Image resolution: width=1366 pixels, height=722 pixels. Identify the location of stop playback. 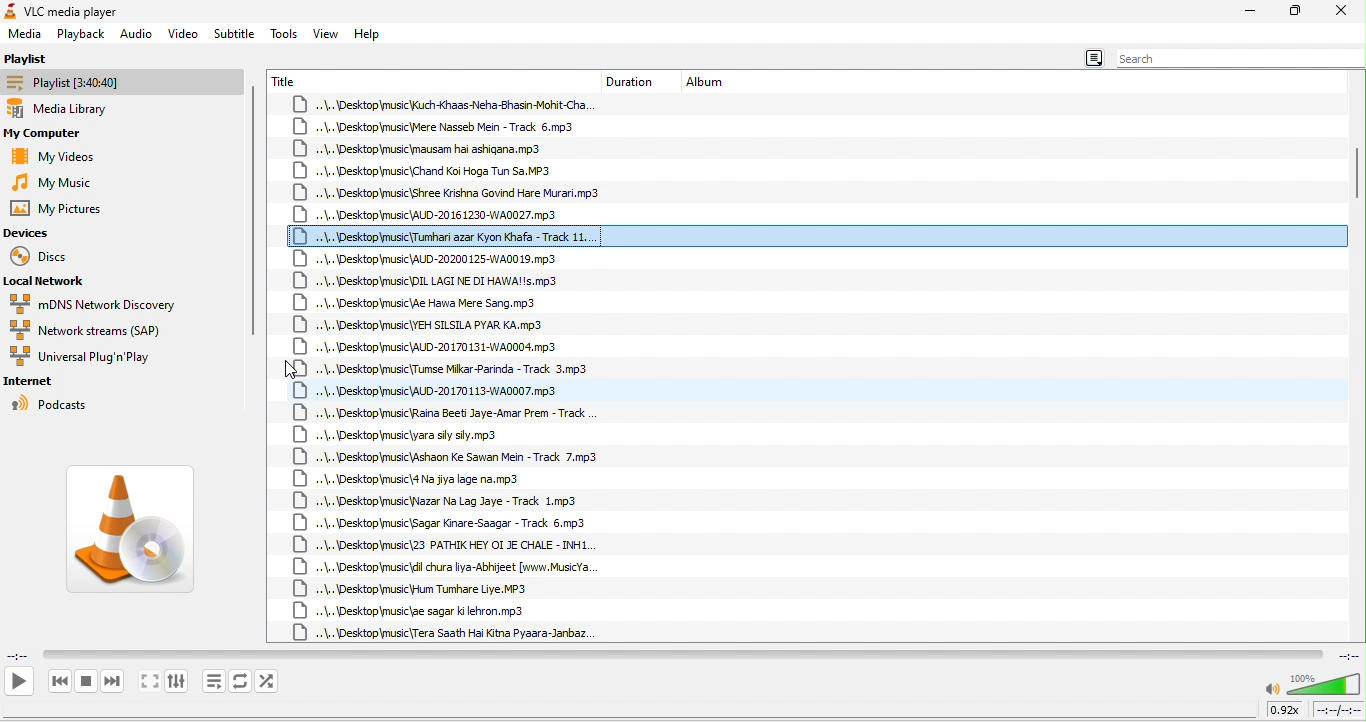
(87, 681).